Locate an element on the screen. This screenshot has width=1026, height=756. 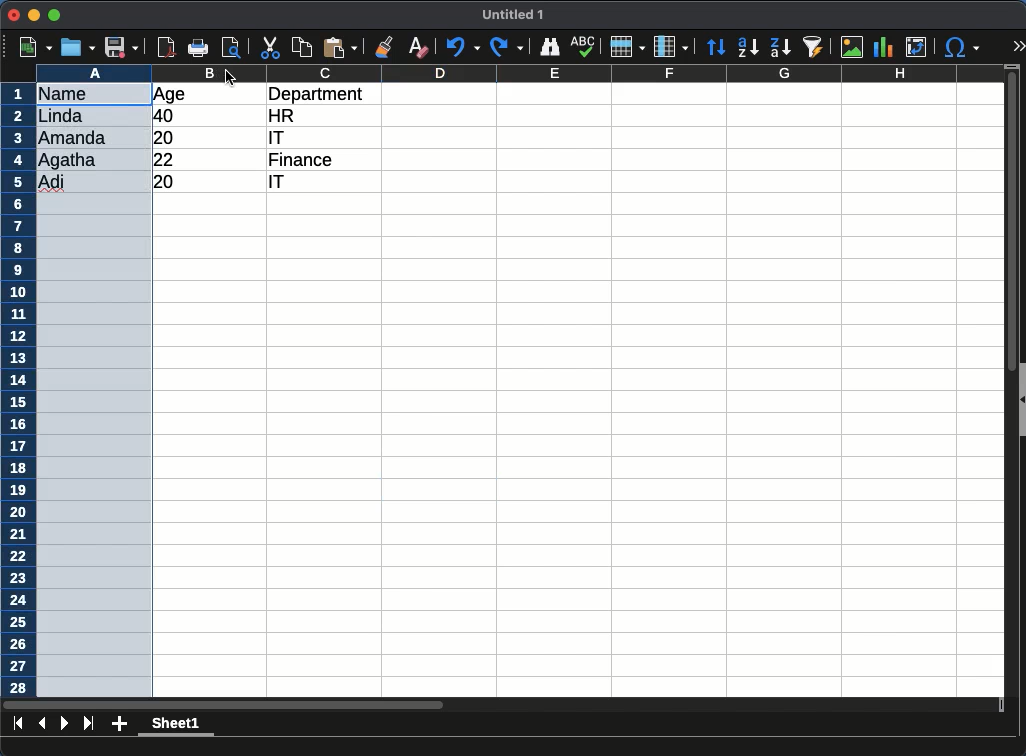
finance  is located at coordinates (303, 160).